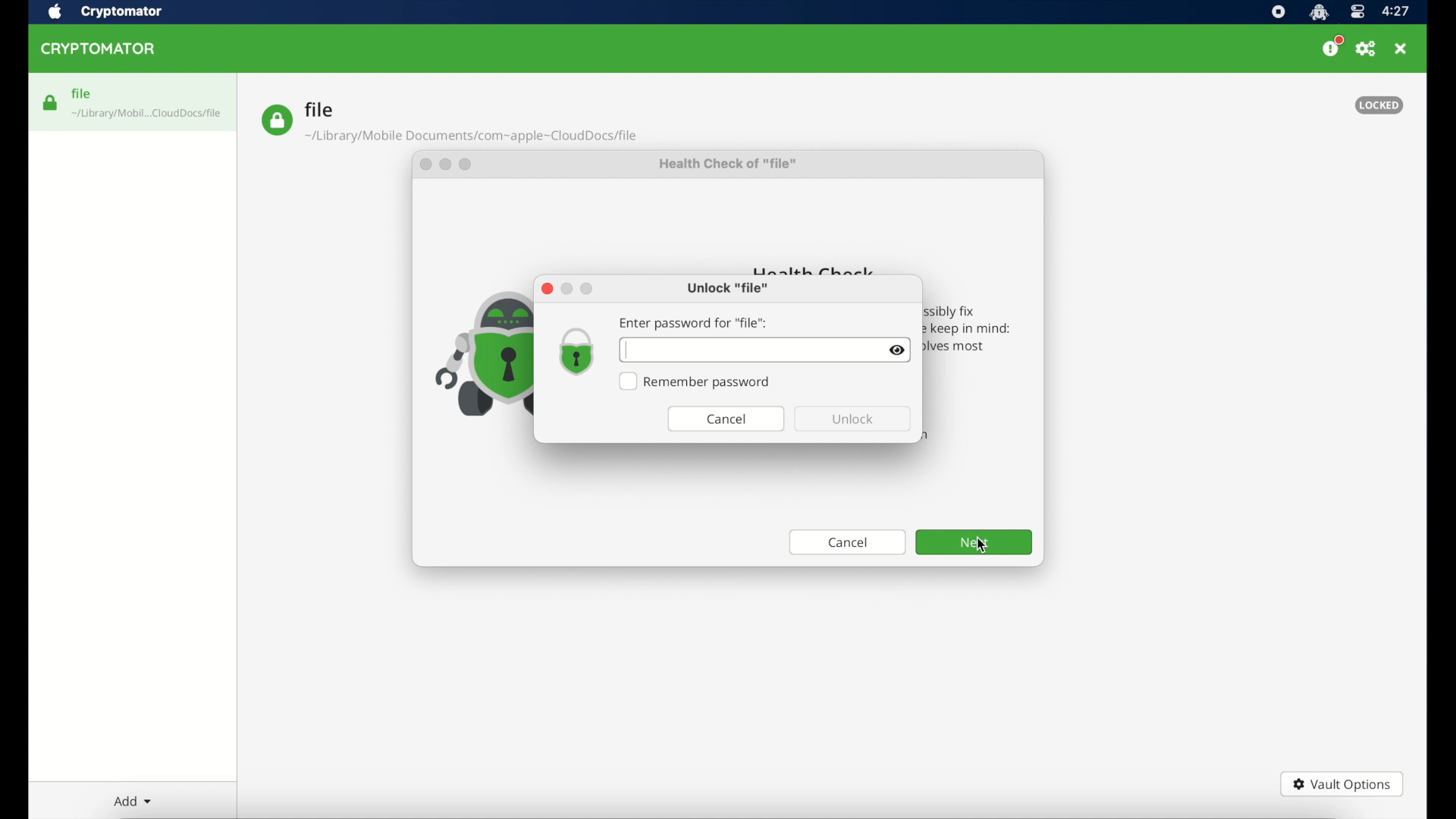 The image size is (1456, 819). I want to click on maximize, so click(469, 167).